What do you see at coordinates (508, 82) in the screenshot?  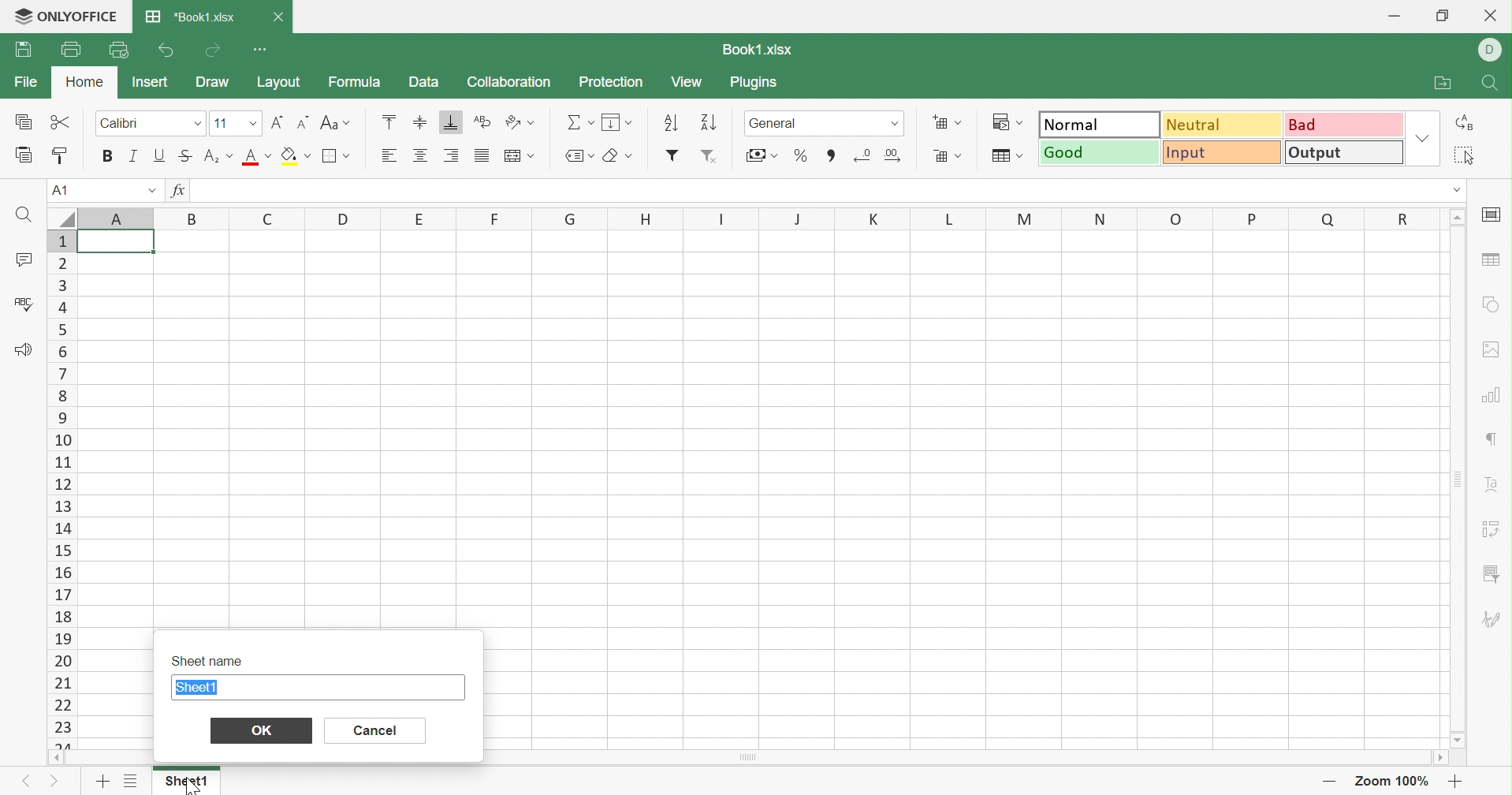 I see `Collaboration` at bounding box center [508, 82].